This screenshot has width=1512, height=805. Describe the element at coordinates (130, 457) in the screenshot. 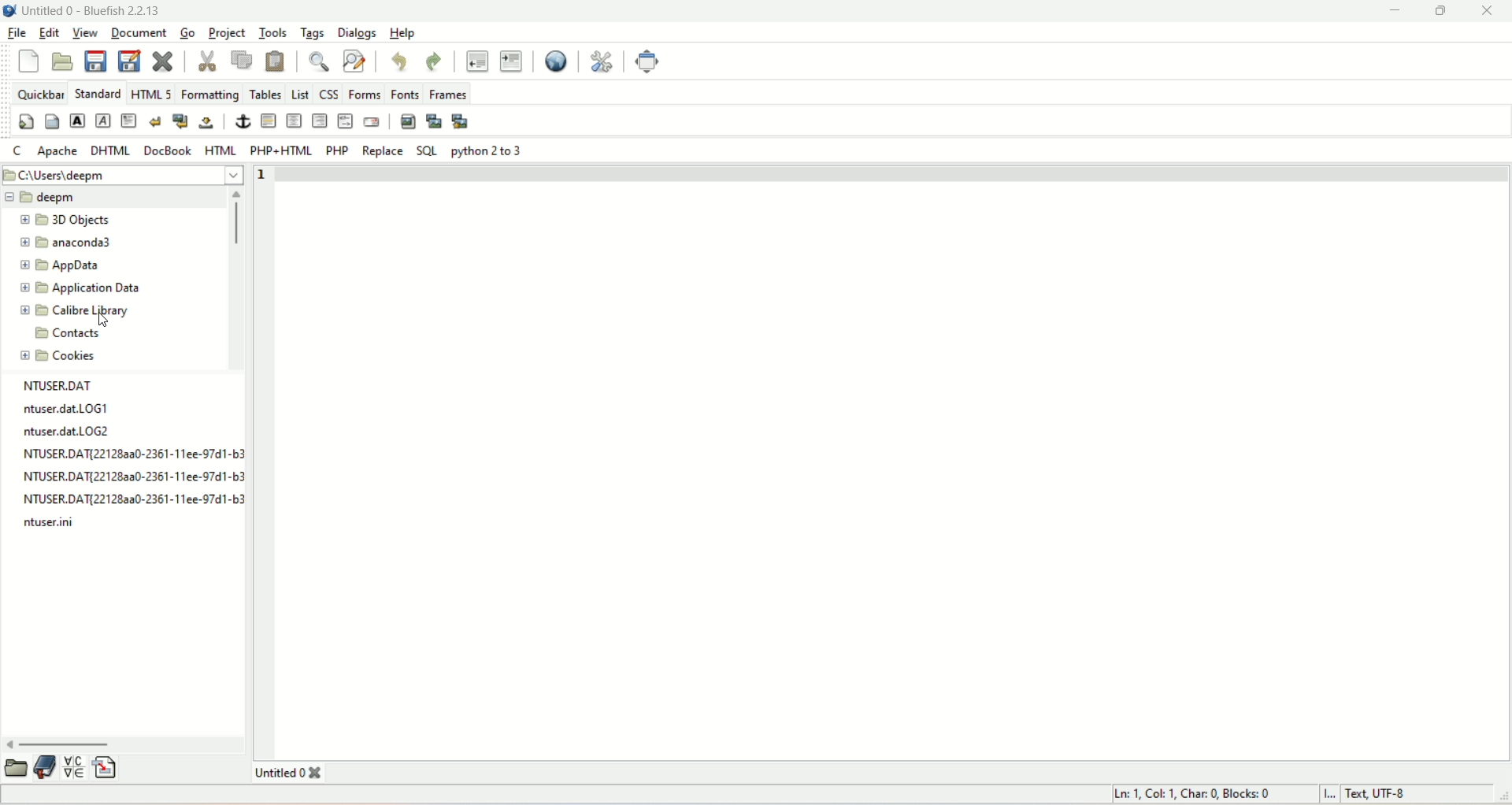

I see `text` at that location.